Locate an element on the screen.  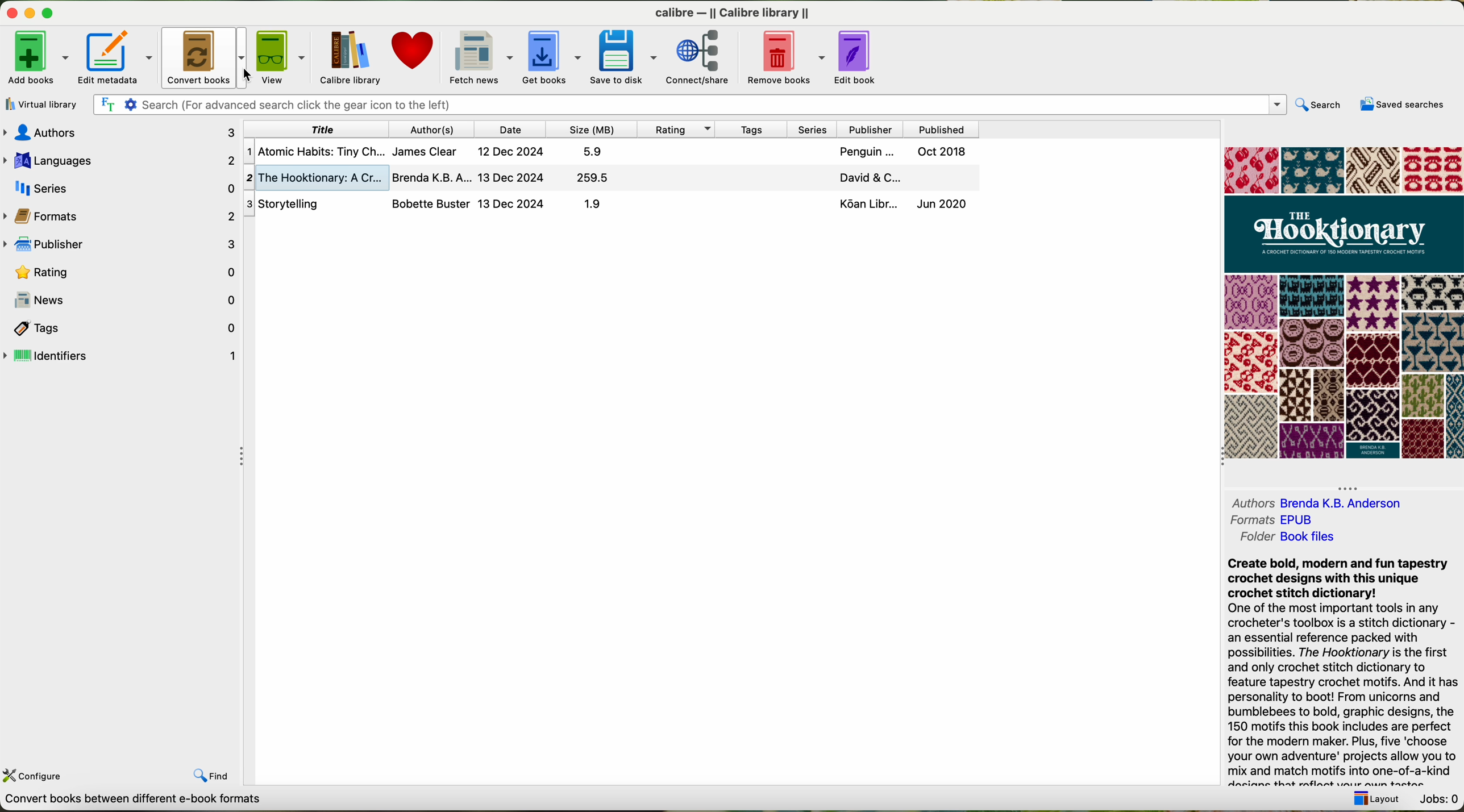
get books is located at coordinates (551, 56).